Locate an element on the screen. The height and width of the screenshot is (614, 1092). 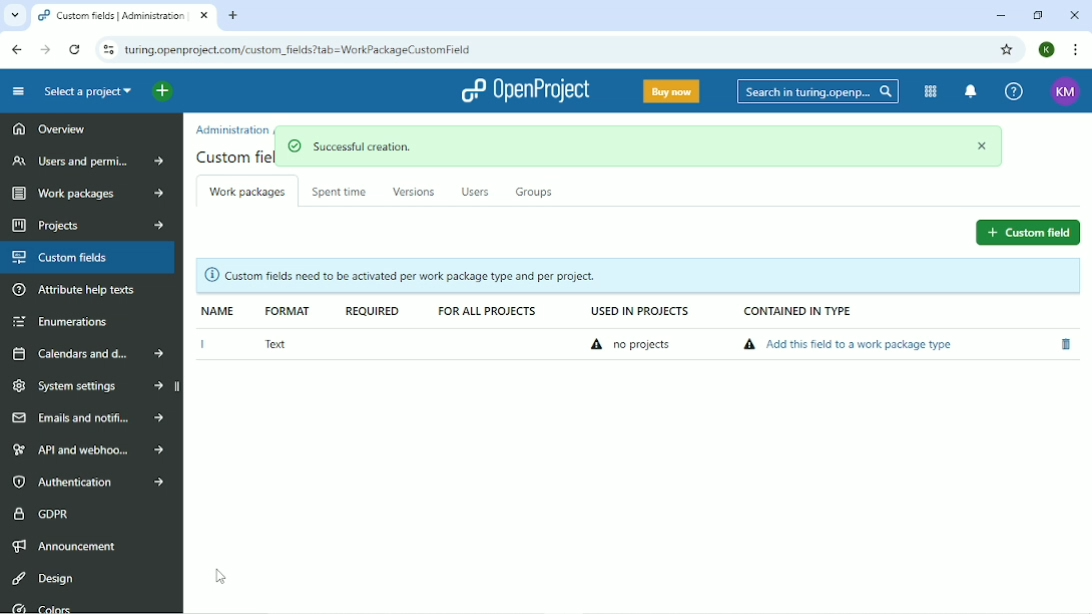
OpenProject is located at coordinates (530, 91).